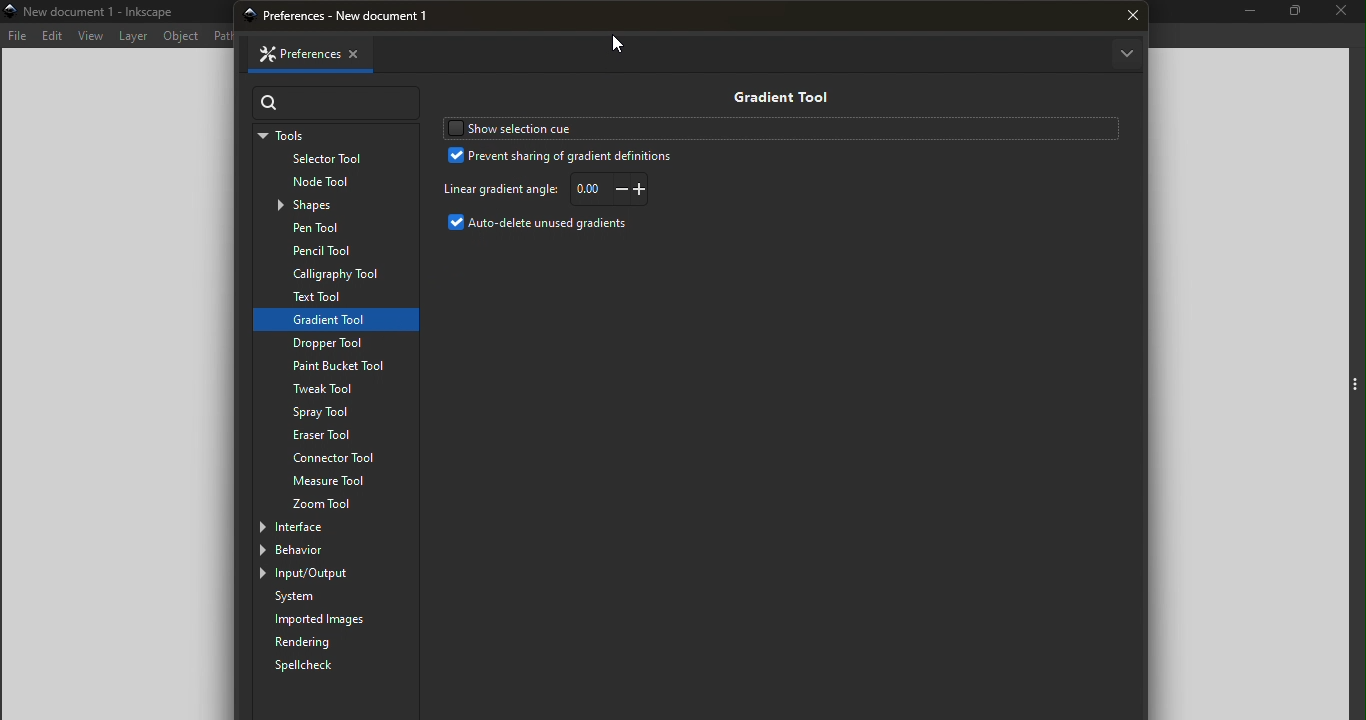 This screenshot has width=1366, height=720. I want to click on Dropper tool, so click(337, 342).